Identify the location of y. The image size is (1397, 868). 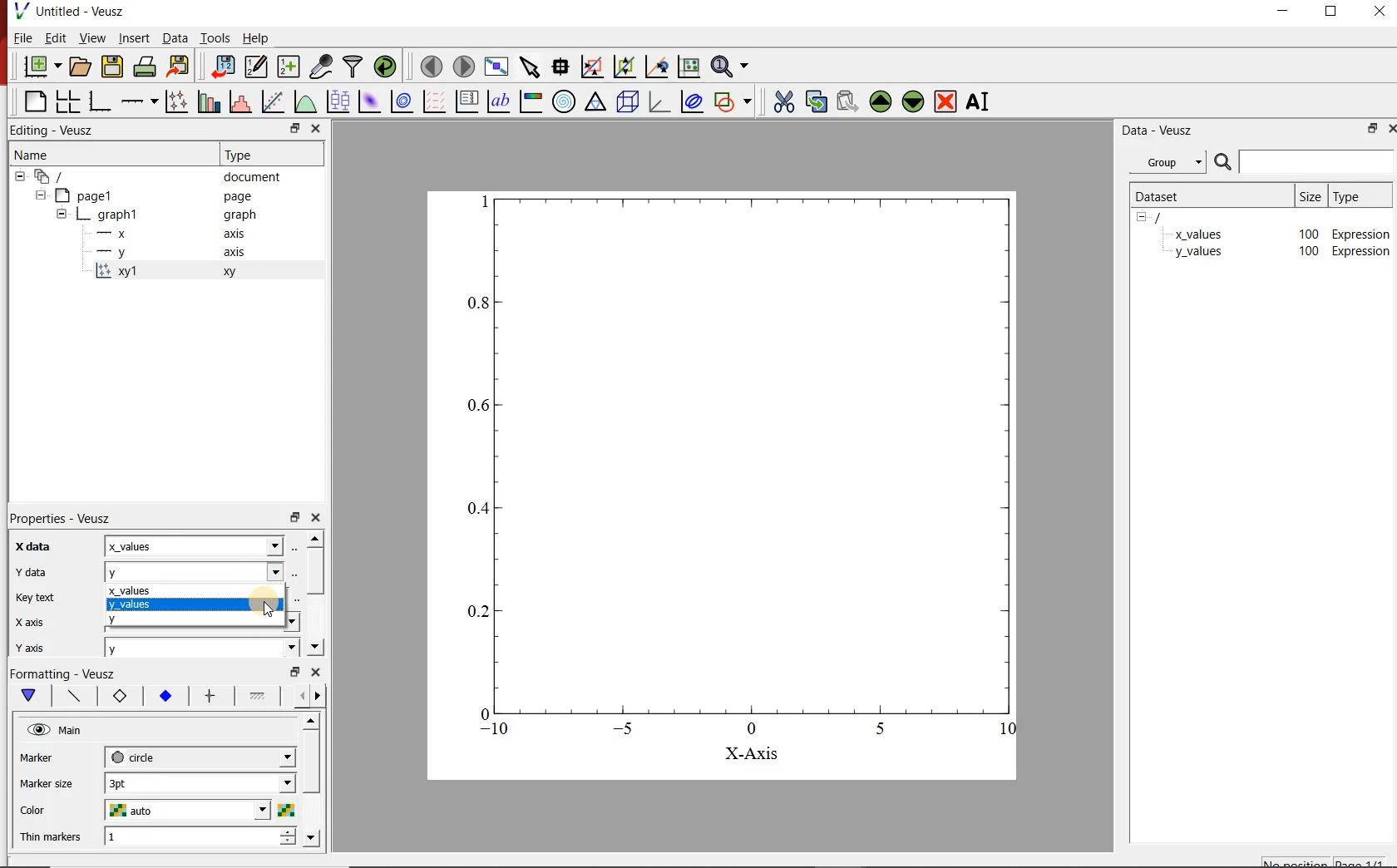
(202, 648).